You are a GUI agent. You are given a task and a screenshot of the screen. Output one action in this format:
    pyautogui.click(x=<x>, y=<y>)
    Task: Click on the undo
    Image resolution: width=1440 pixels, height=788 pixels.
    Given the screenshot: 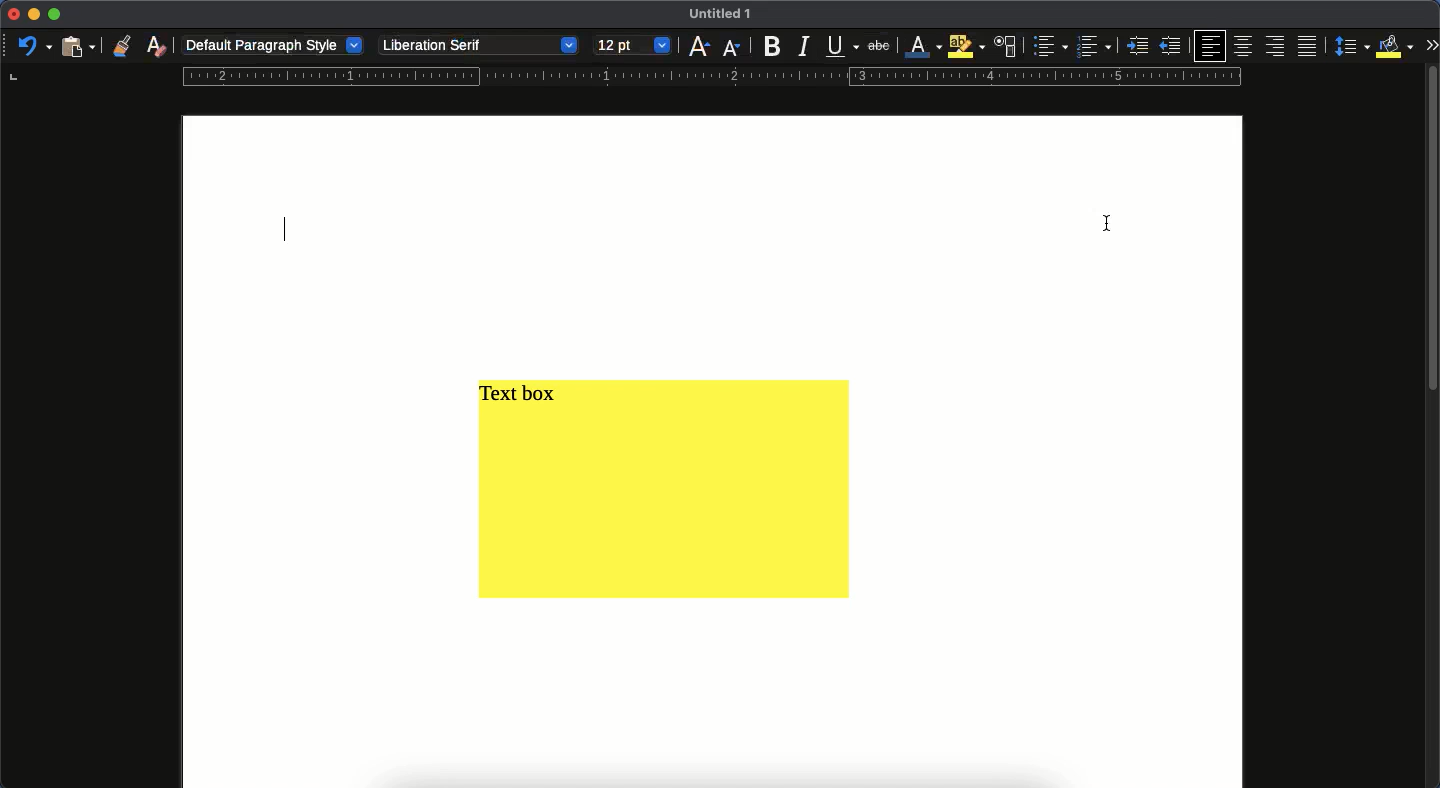 What is the action you would take?
    pyautogui.click(x=34, y=45)
    